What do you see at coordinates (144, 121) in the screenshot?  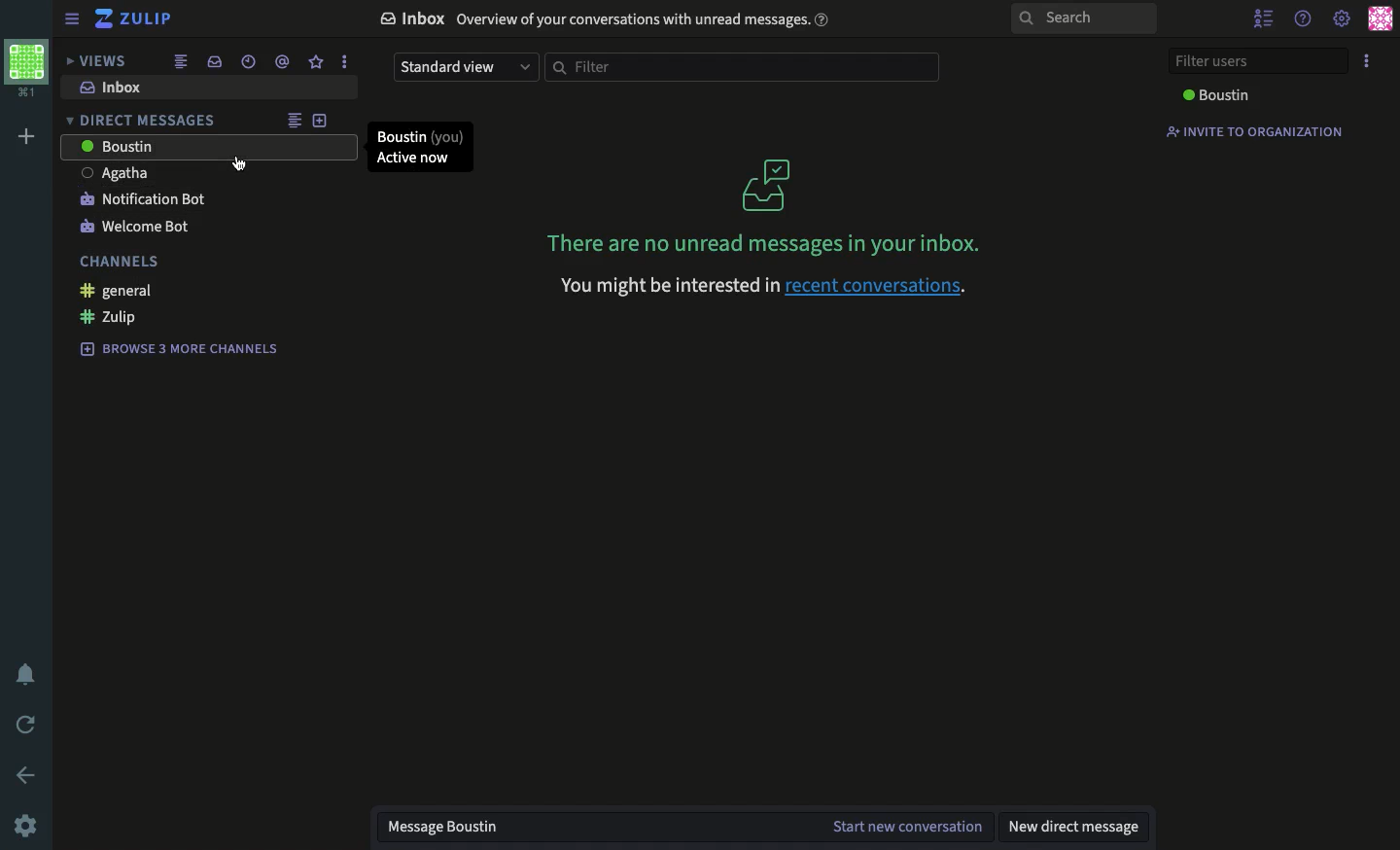 I see `direct messages` at bounding box center [144, 121].